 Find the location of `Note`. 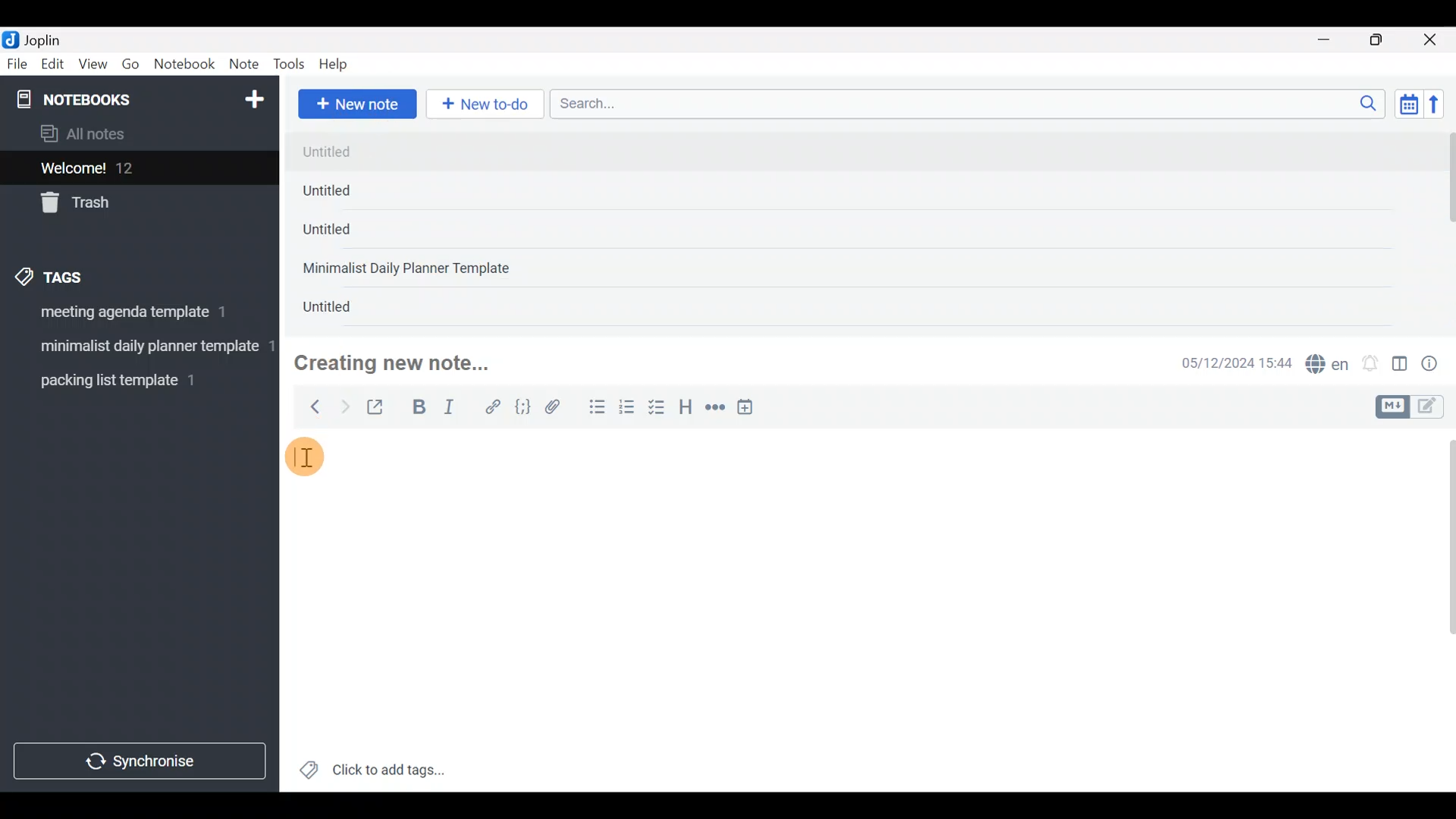

Note is located at coordinates (247, 65).